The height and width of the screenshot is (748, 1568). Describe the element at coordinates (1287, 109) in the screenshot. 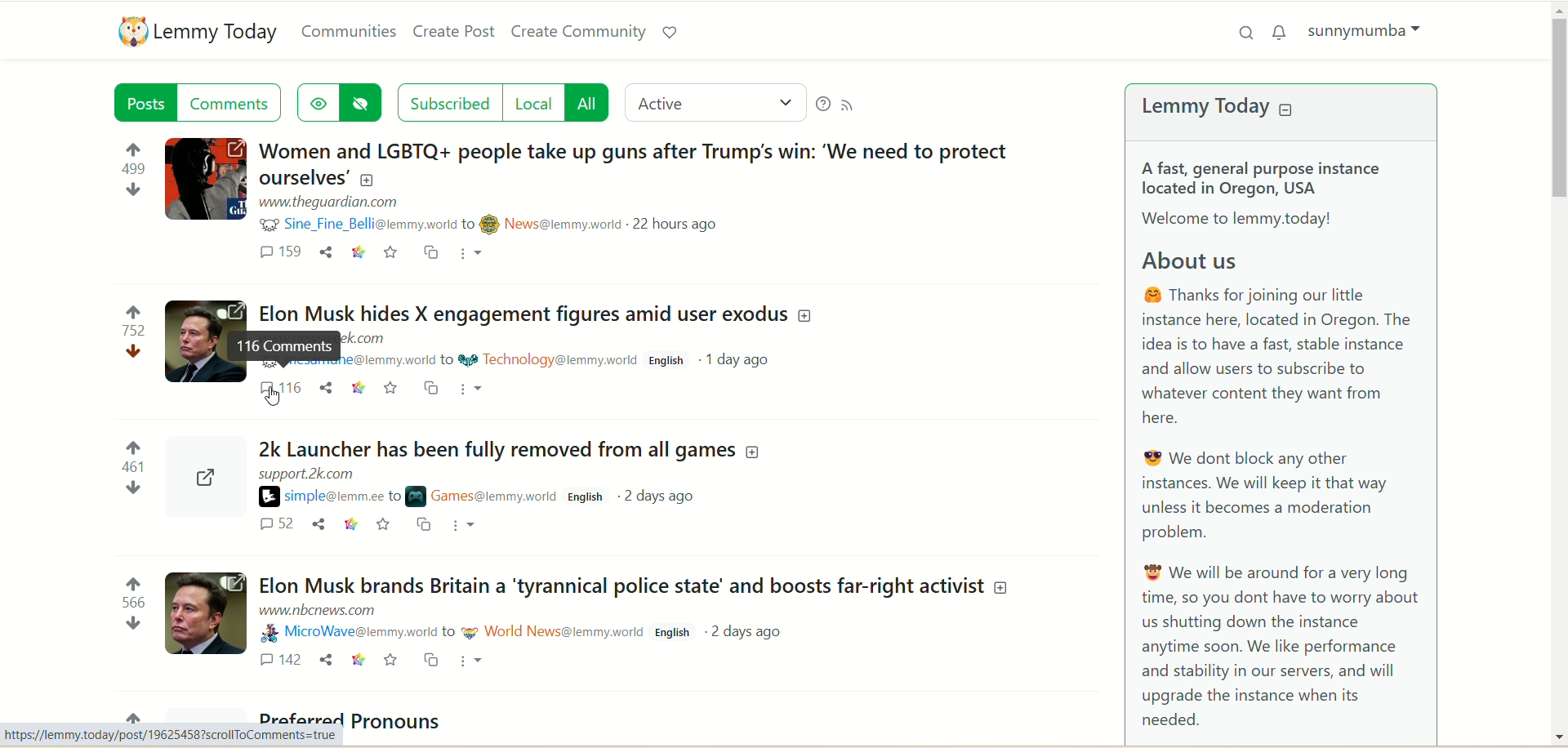

I see `collapse` at that location.